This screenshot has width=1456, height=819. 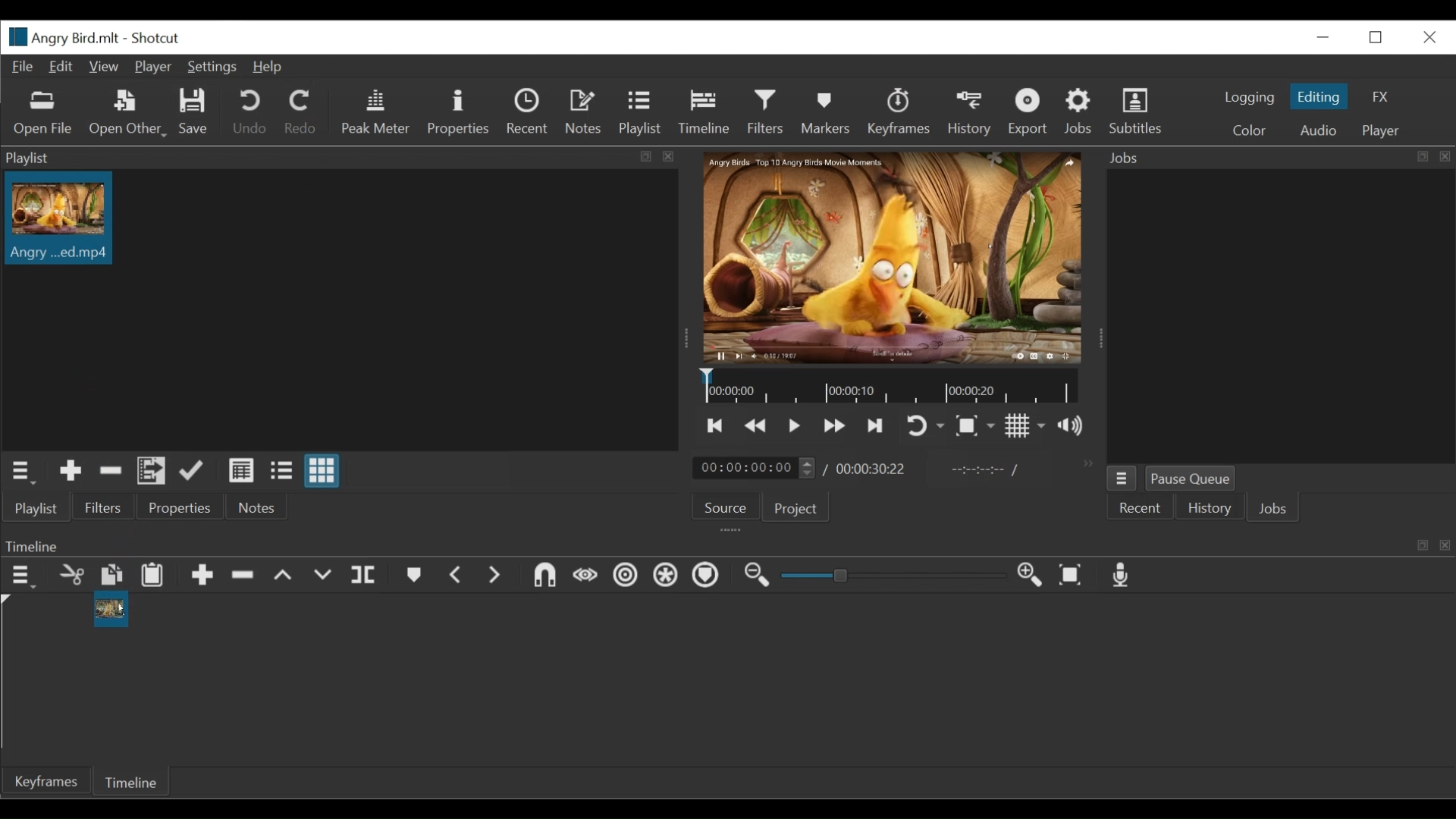 What do you see at coordinates (893, 259) in the screenshot?
I see `Media Viewer` at bounding box center [893, 259].